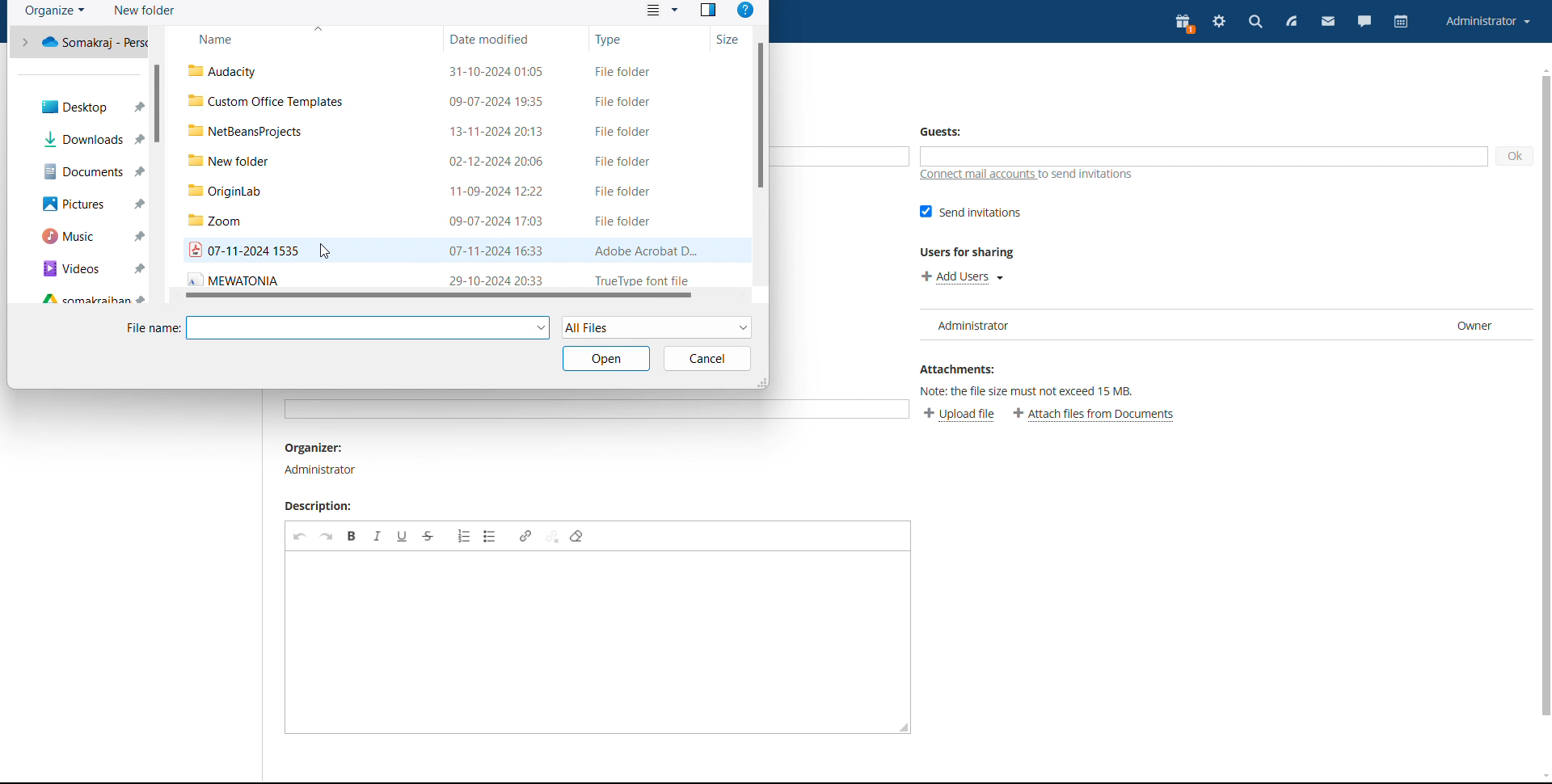  Describe the element at coordinates (1225, 325) in the screenshot. I see `user list` at that location.